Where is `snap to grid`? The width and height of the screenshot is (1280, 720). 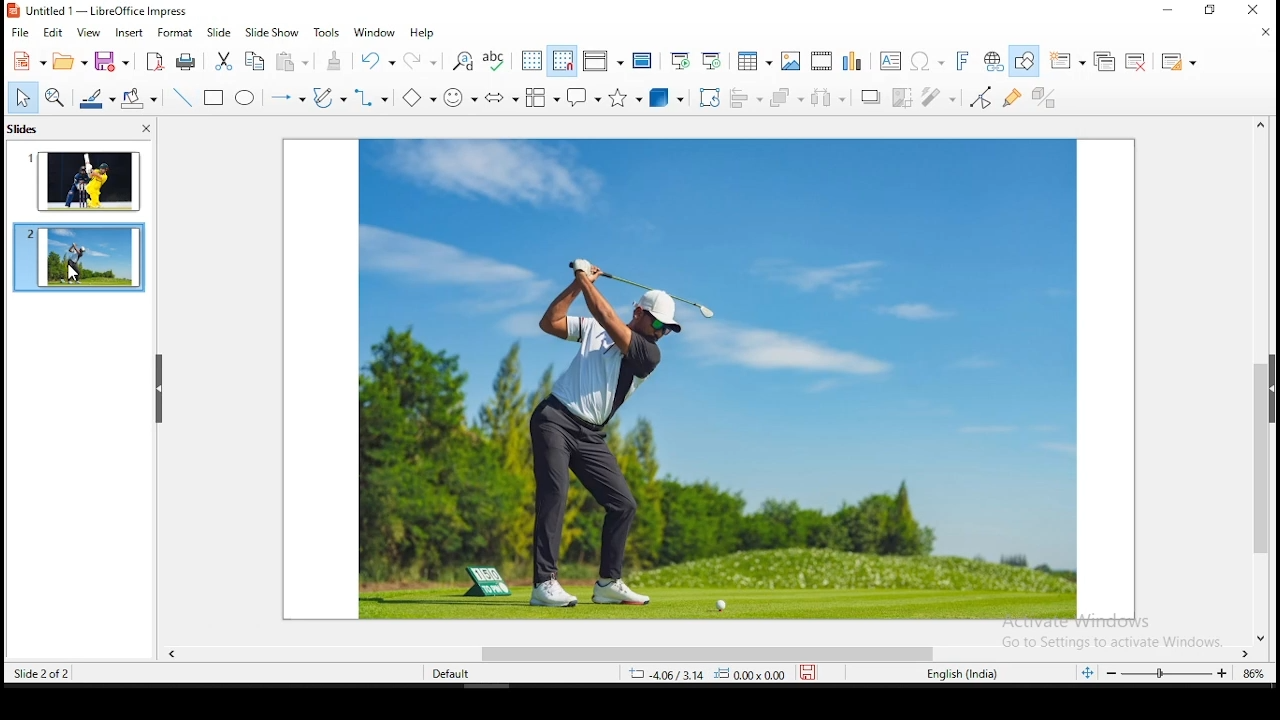
snap to grid is located at coordinates (563, 60).